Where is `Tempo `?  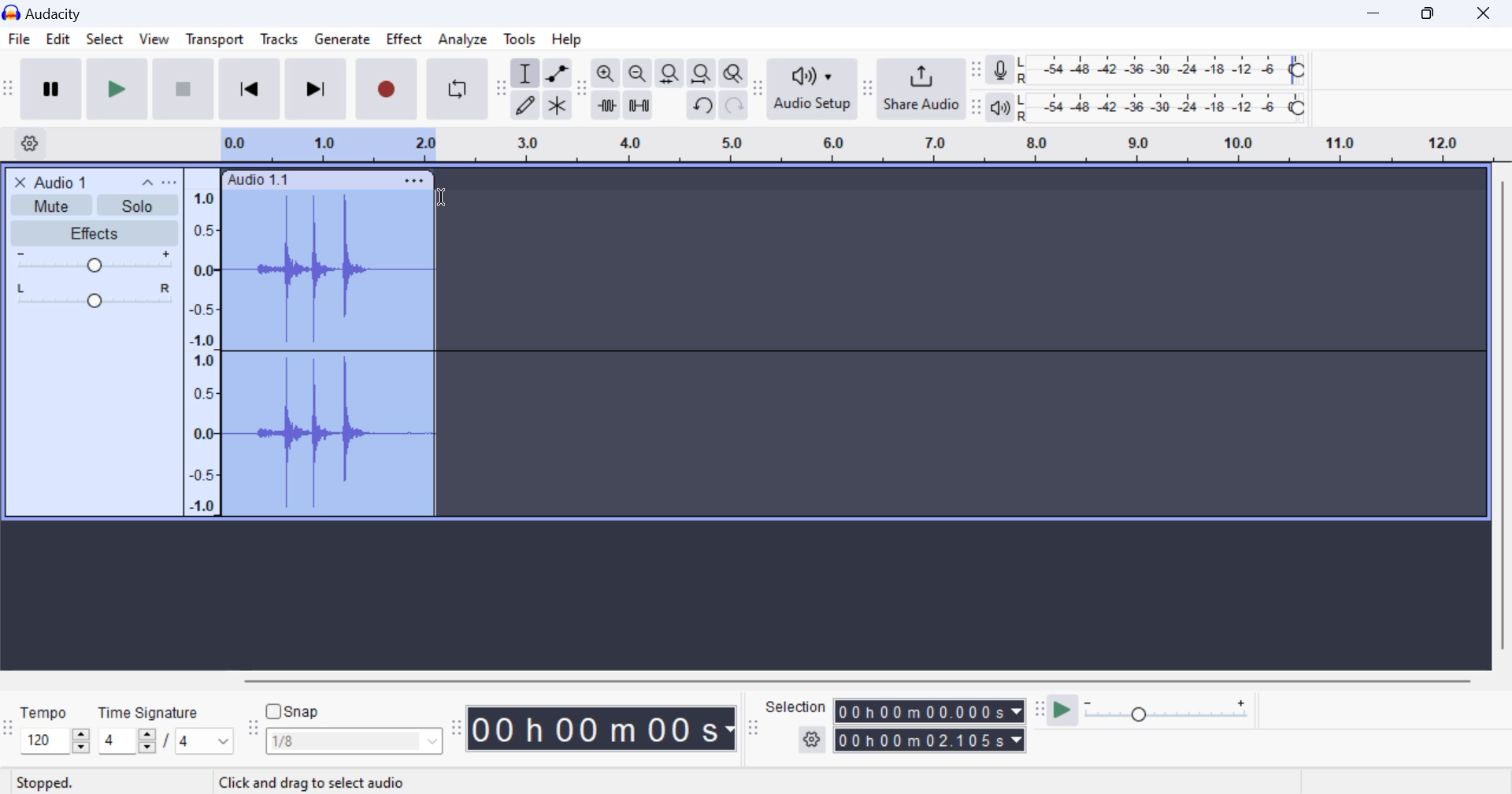
Tempo  is located at coordinates (45, 711).